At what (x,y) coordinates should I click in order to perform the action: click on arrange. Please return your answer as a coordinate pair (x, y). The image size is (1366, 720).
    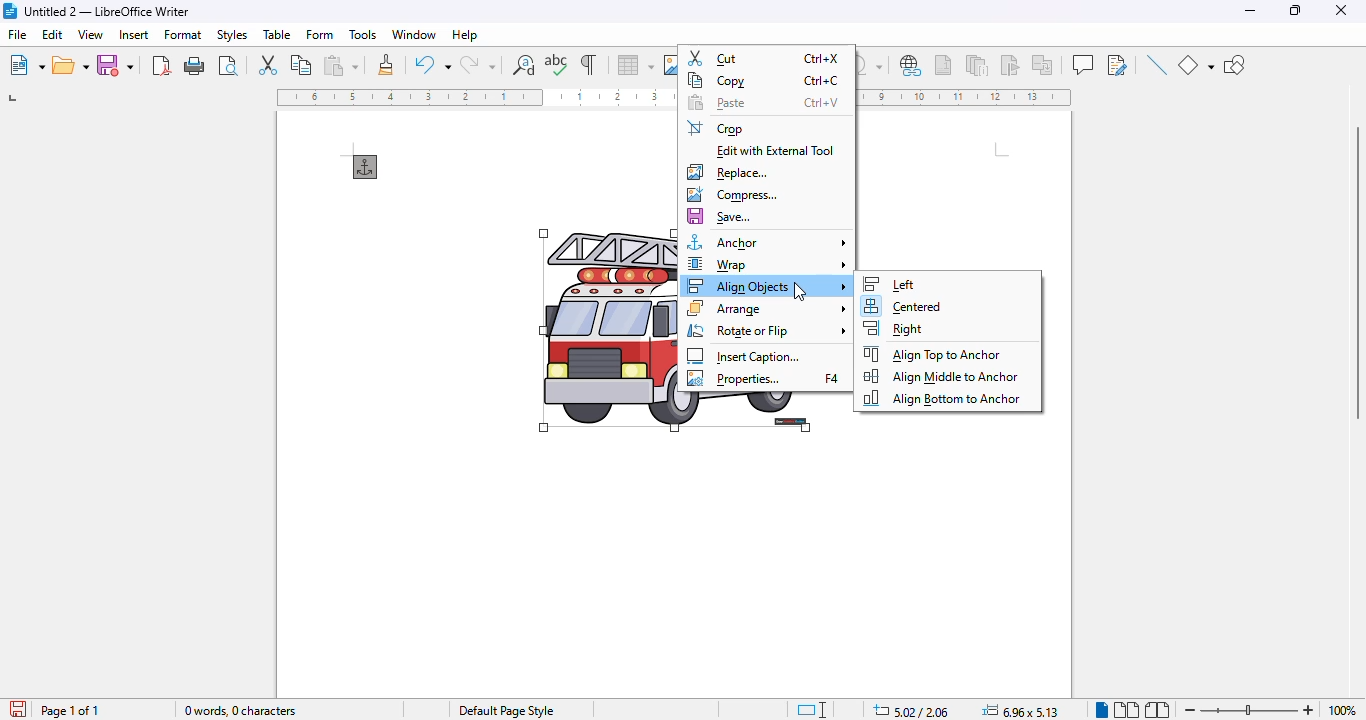
    Looking at the image, I should click on (768, 308).